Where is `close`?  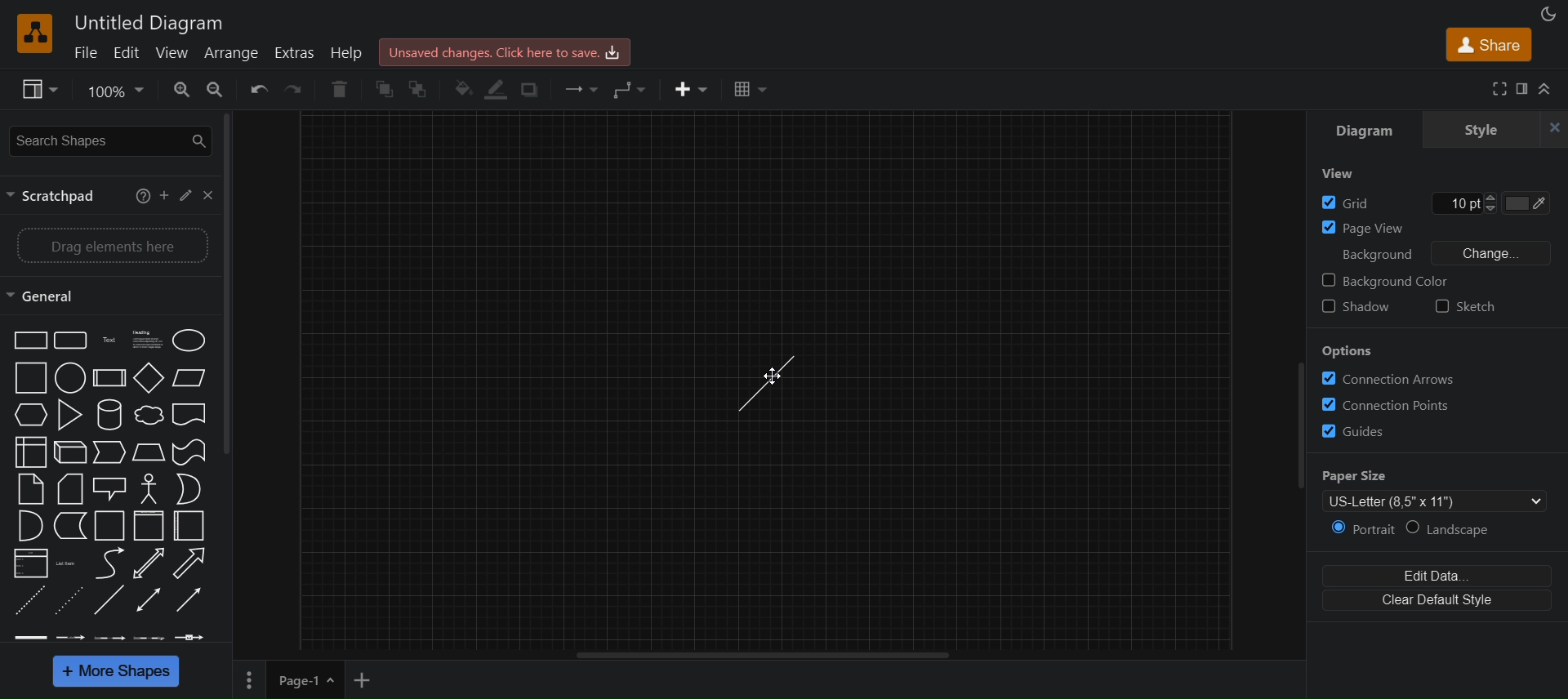 close is located at coordinates (207, 195).